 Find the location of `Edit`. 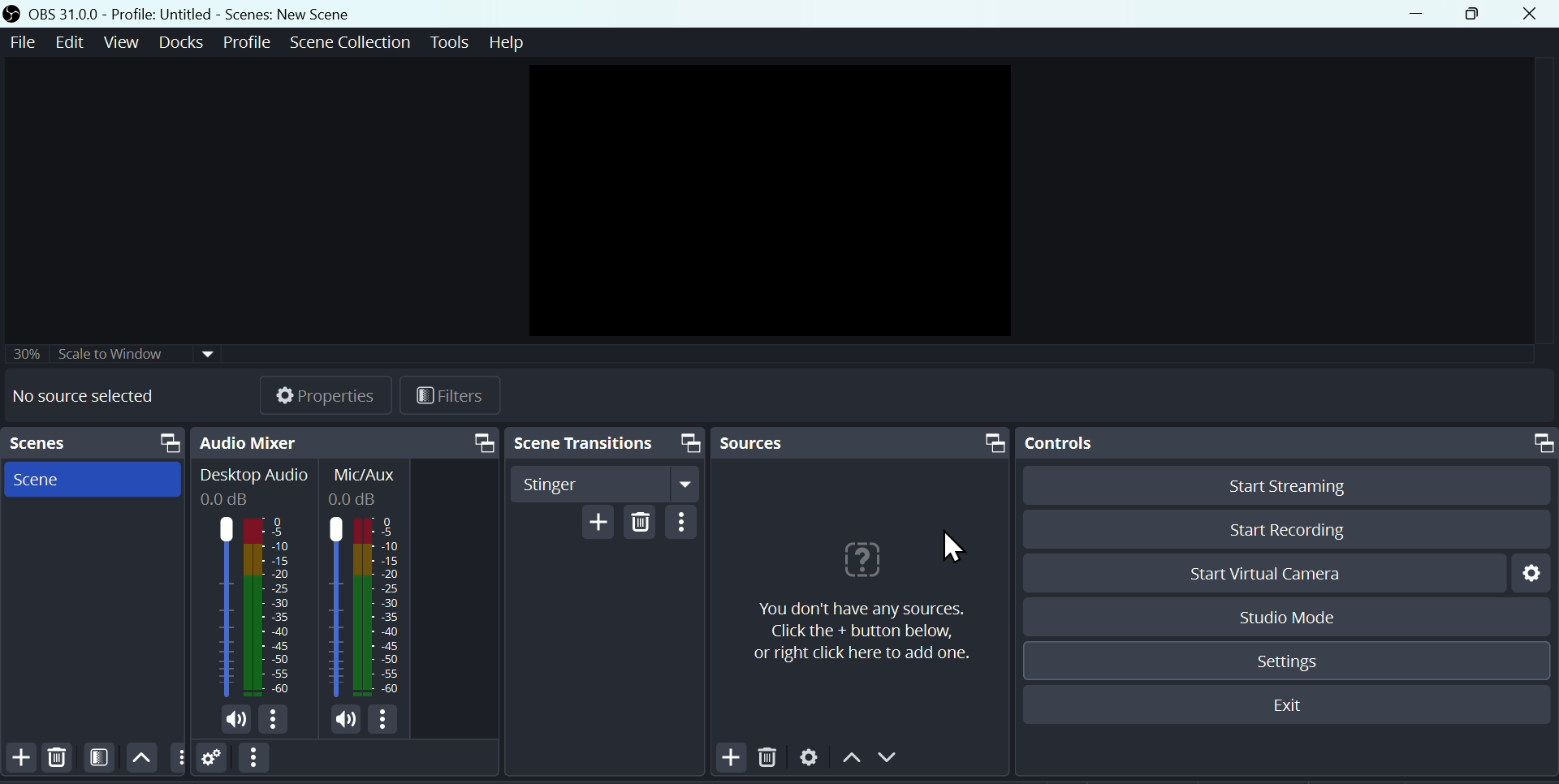

Edit is located at coordinates (67, 42).